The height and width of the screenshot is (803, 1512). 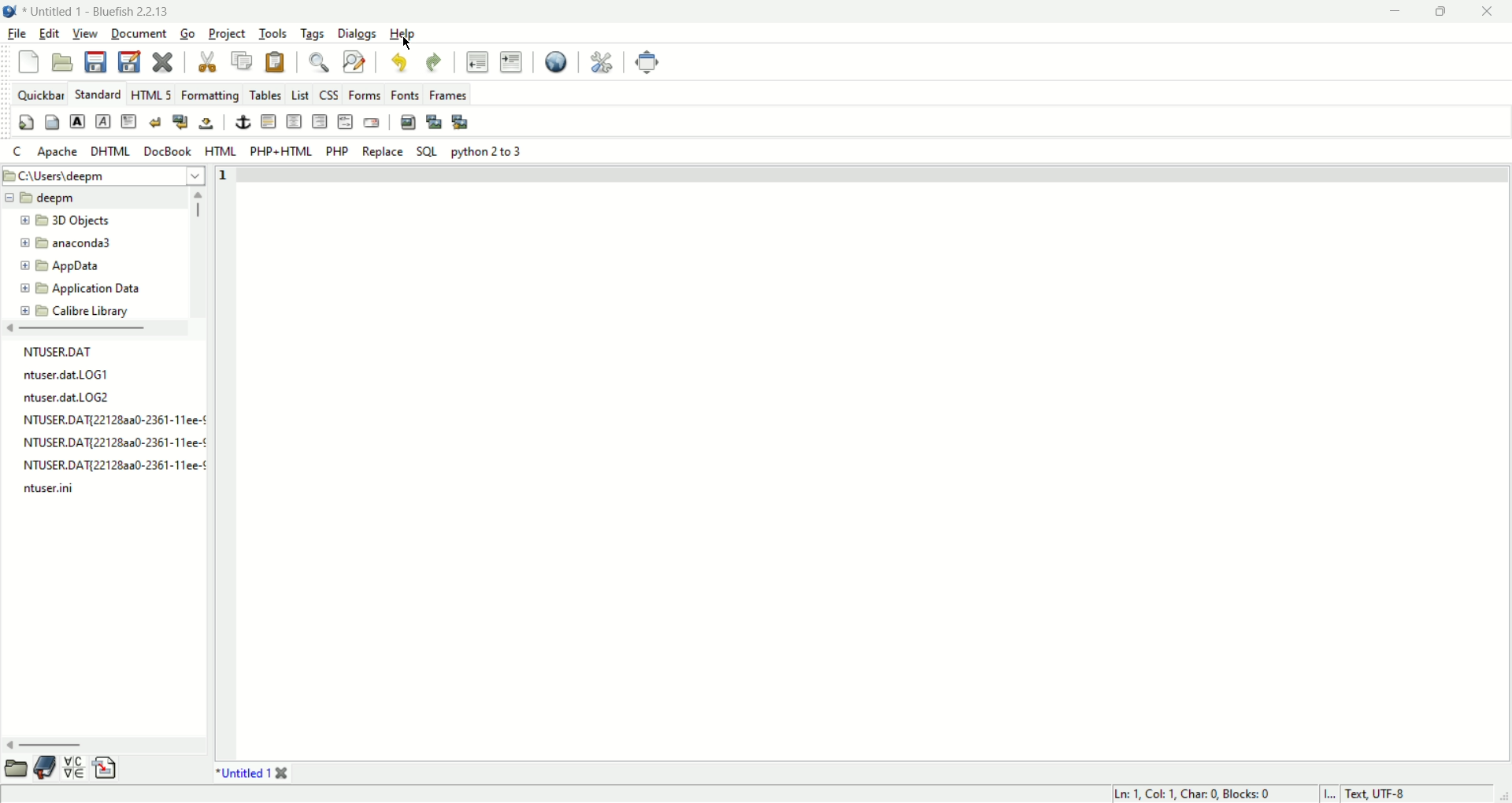 I want to click on application icon, so click(x=10, y=12).